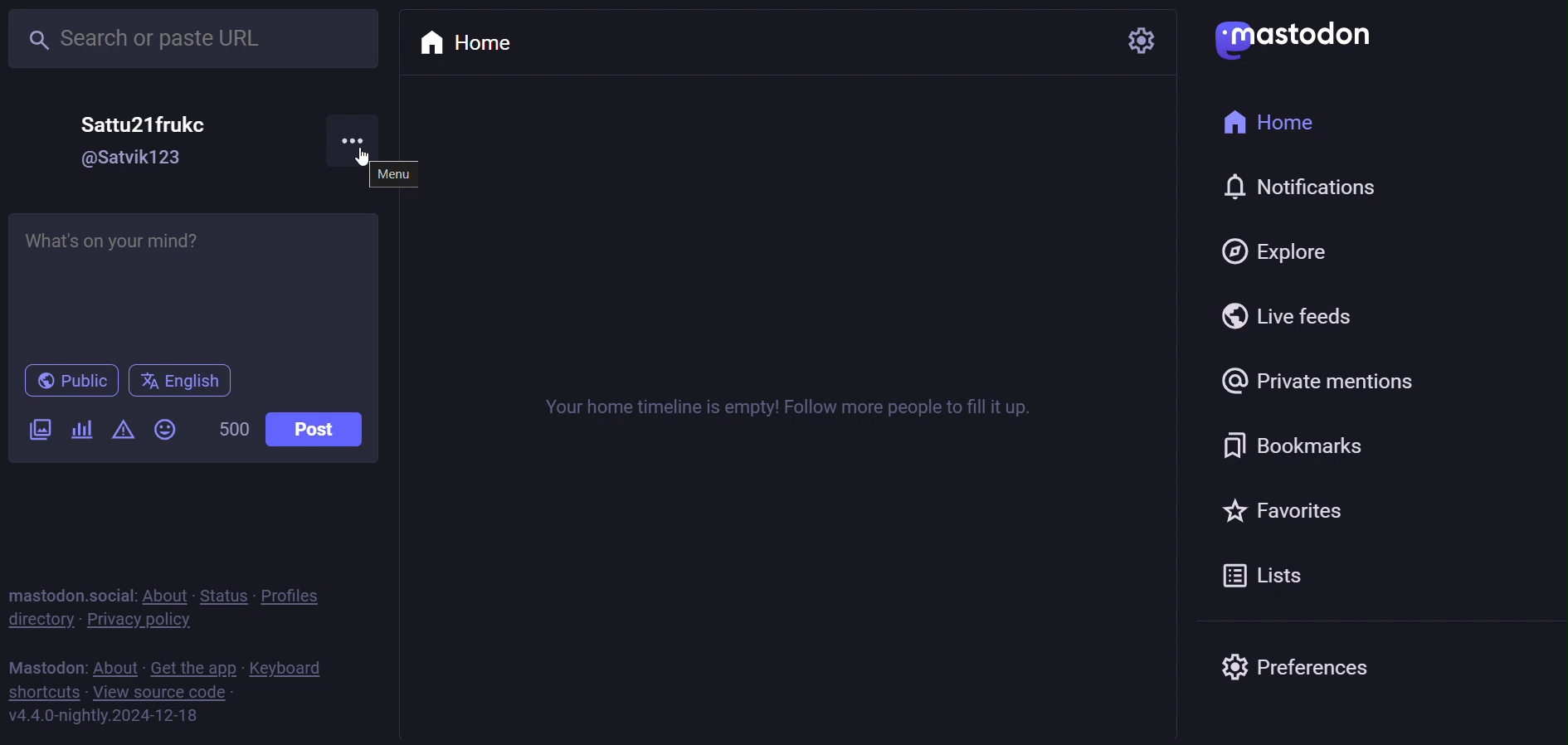 This screenshot has width=1568, height=745. I want to click on about, so click(168, 589).